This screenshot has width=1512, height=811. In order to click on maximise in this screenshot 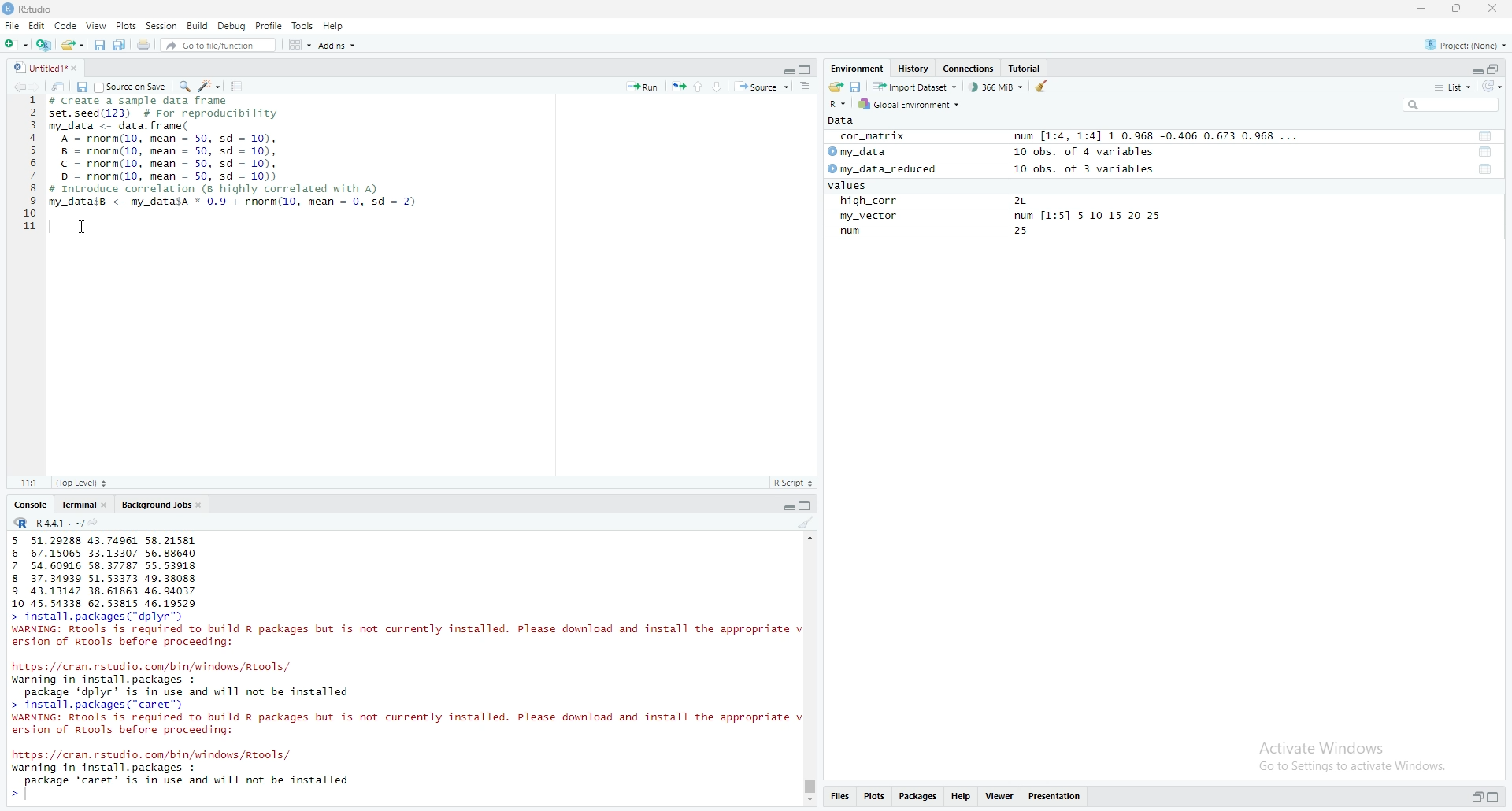, I will do `click(1458, 8)`.